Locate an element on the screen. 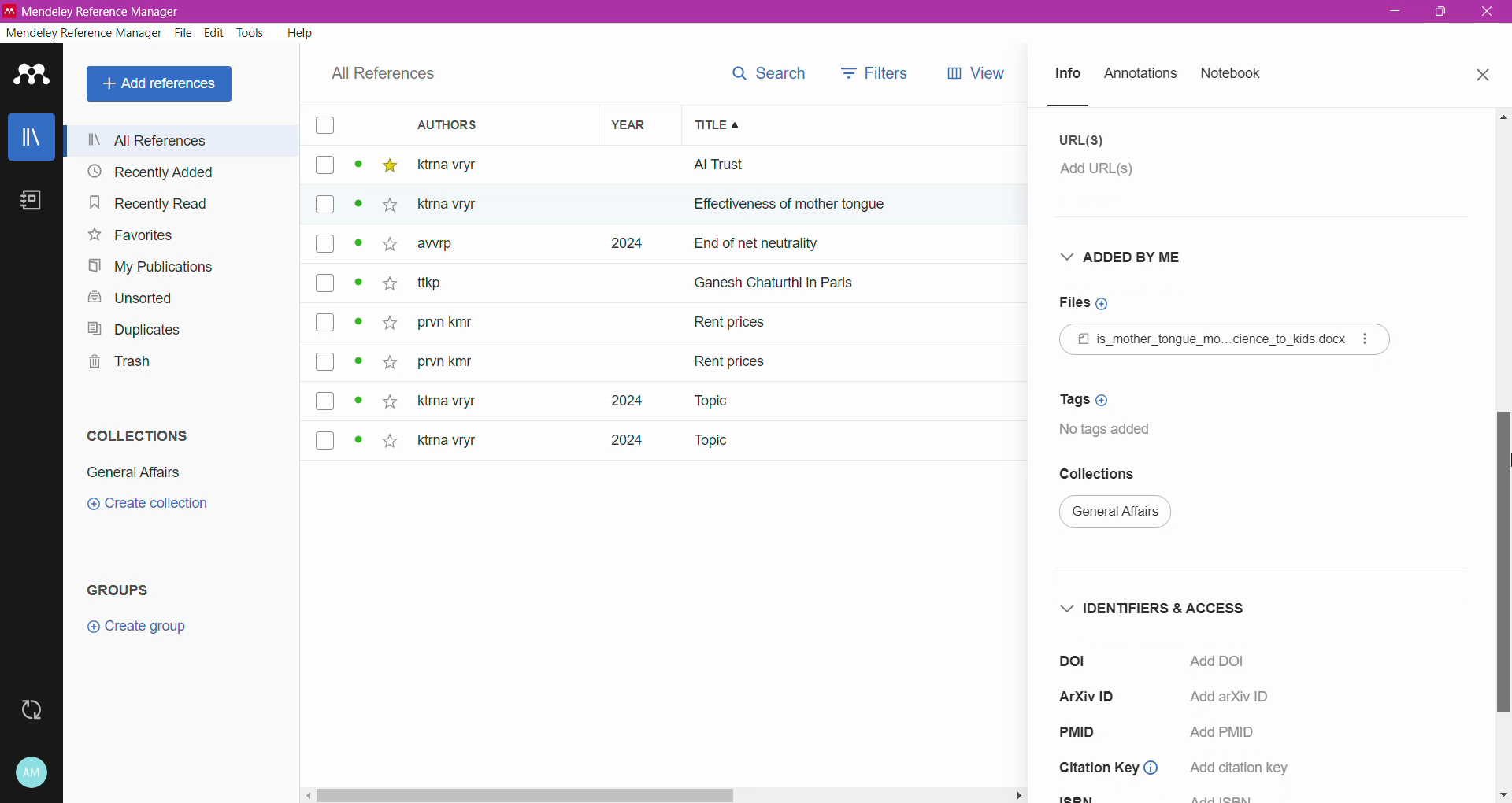 The height and width of the screenshot is (803, 1512). Topic is located at coordinates (709, 442).